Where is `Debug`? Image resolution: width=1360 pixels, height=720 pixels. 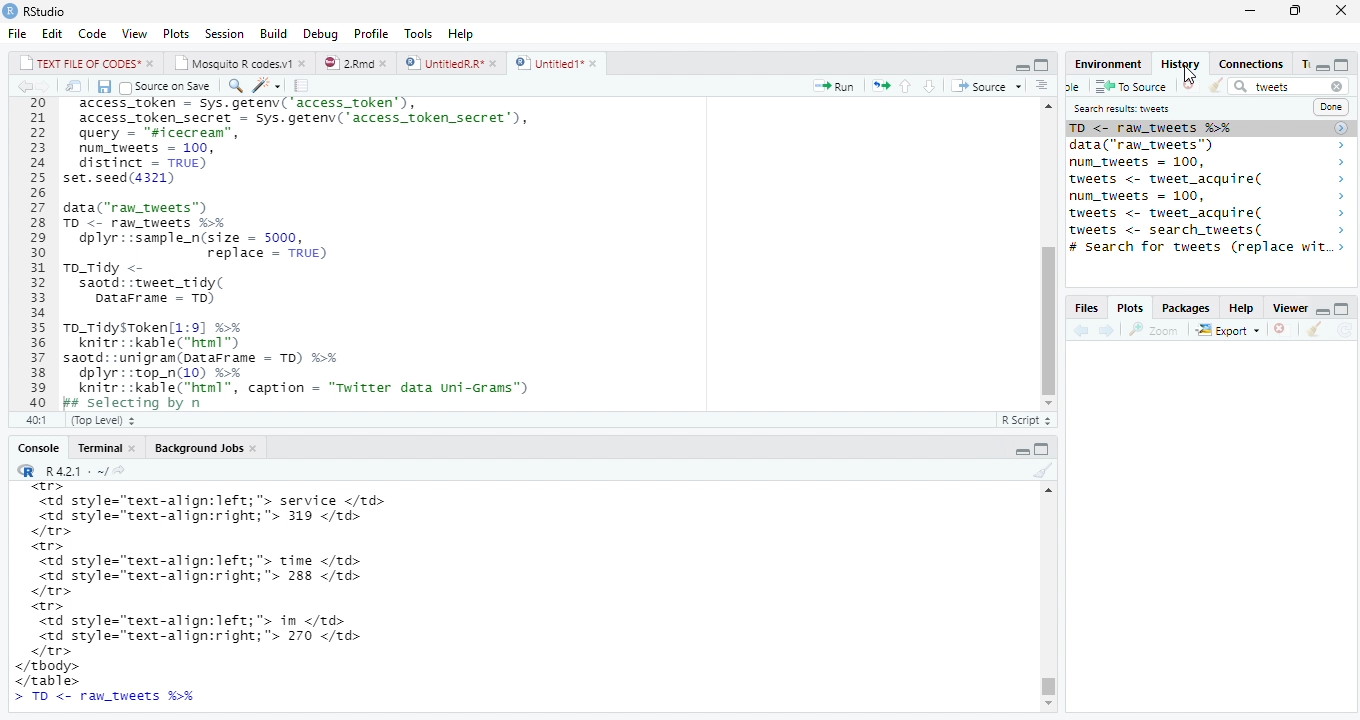 Debug is located at coordinates (318, 34).